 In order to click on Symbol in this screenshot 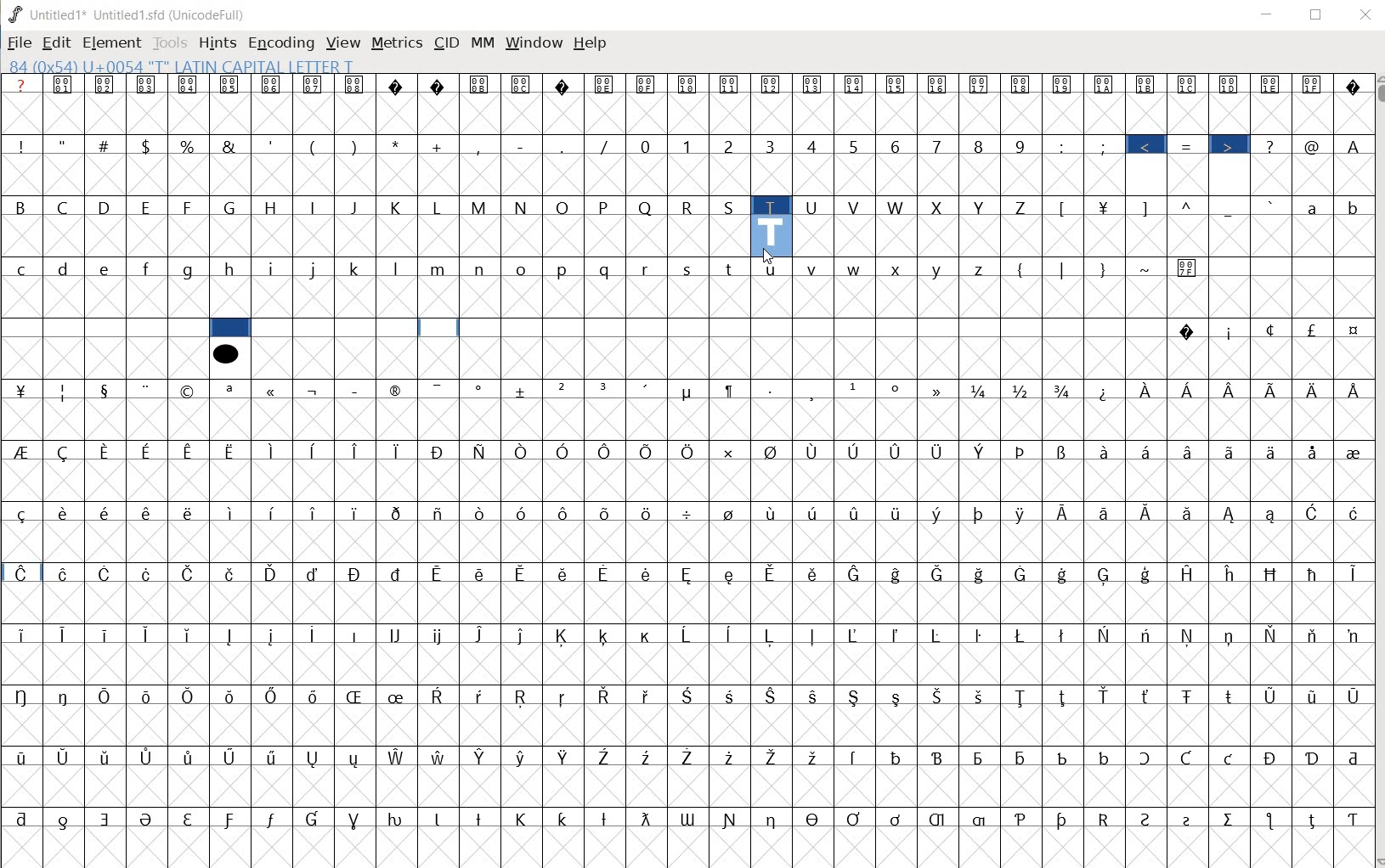, I will do `click(1025, 574)`.